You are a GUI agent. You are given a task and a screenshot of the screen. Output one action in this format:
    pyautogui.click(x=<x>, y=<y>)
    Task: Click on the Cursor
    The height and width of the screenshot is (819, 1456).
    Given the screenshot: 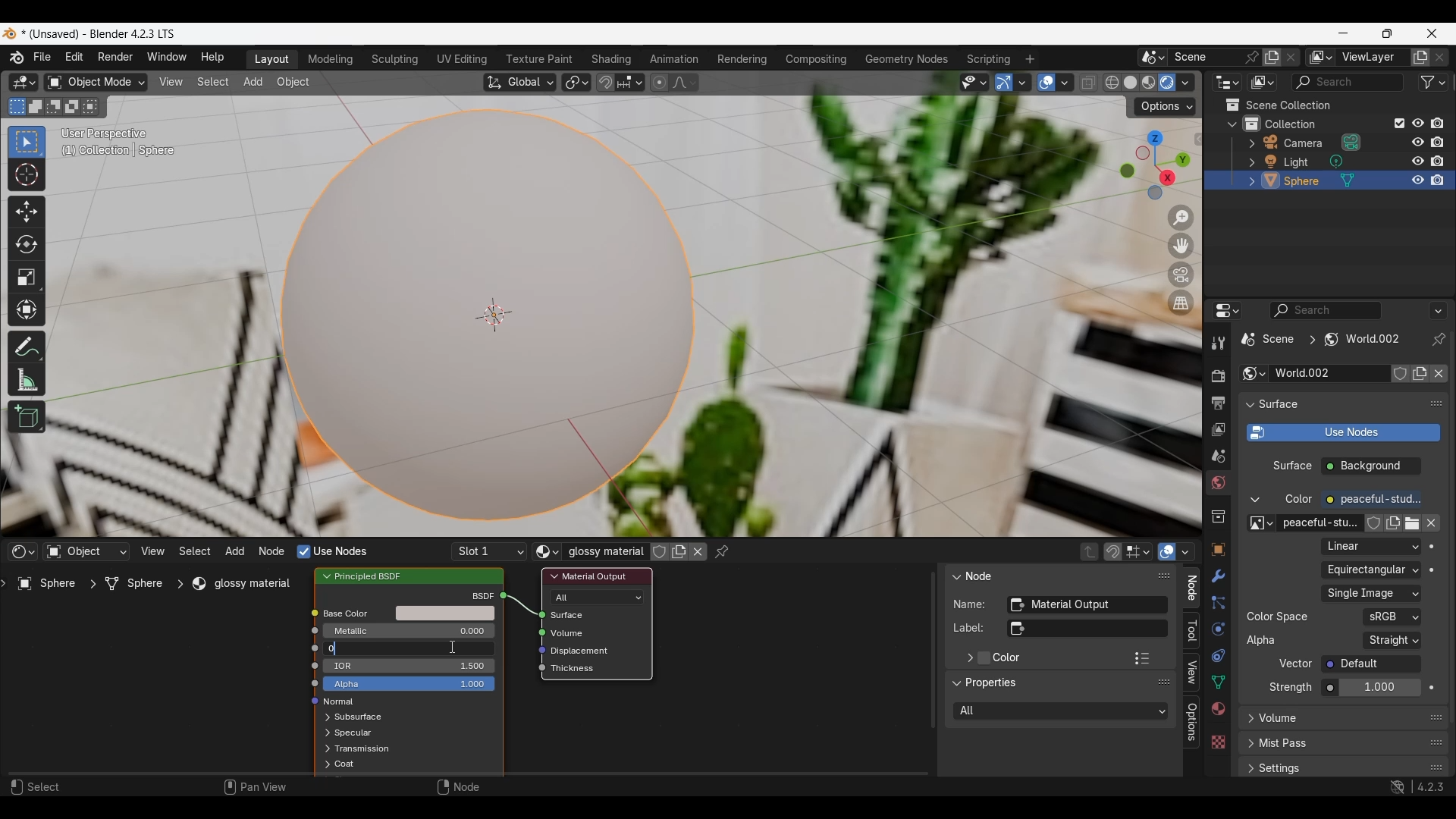 What is the action you would take?
    pyautogui.click(x=27, y=175)
    